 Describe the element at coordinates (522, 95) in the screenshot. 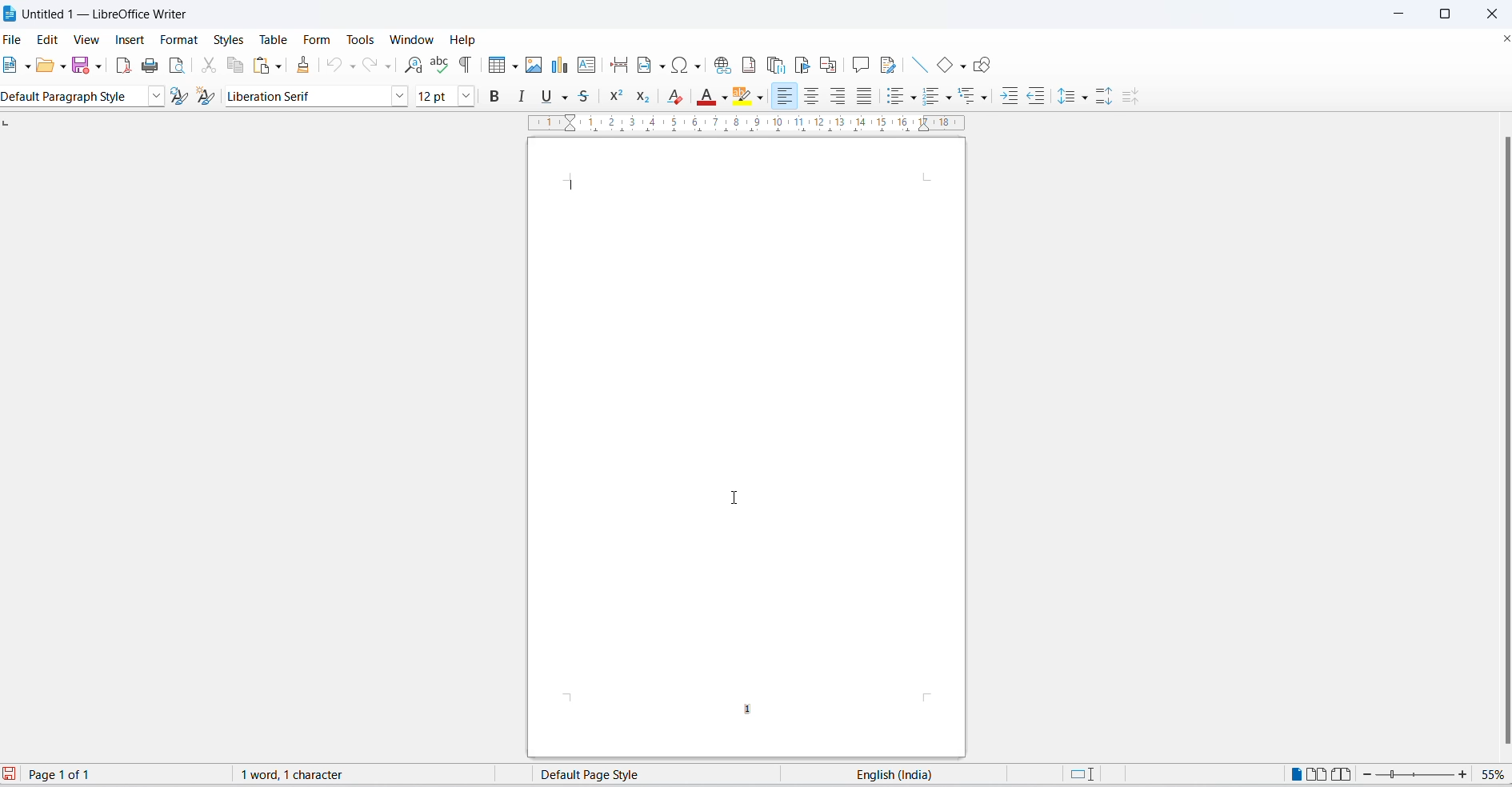

I see `italic` at that location.